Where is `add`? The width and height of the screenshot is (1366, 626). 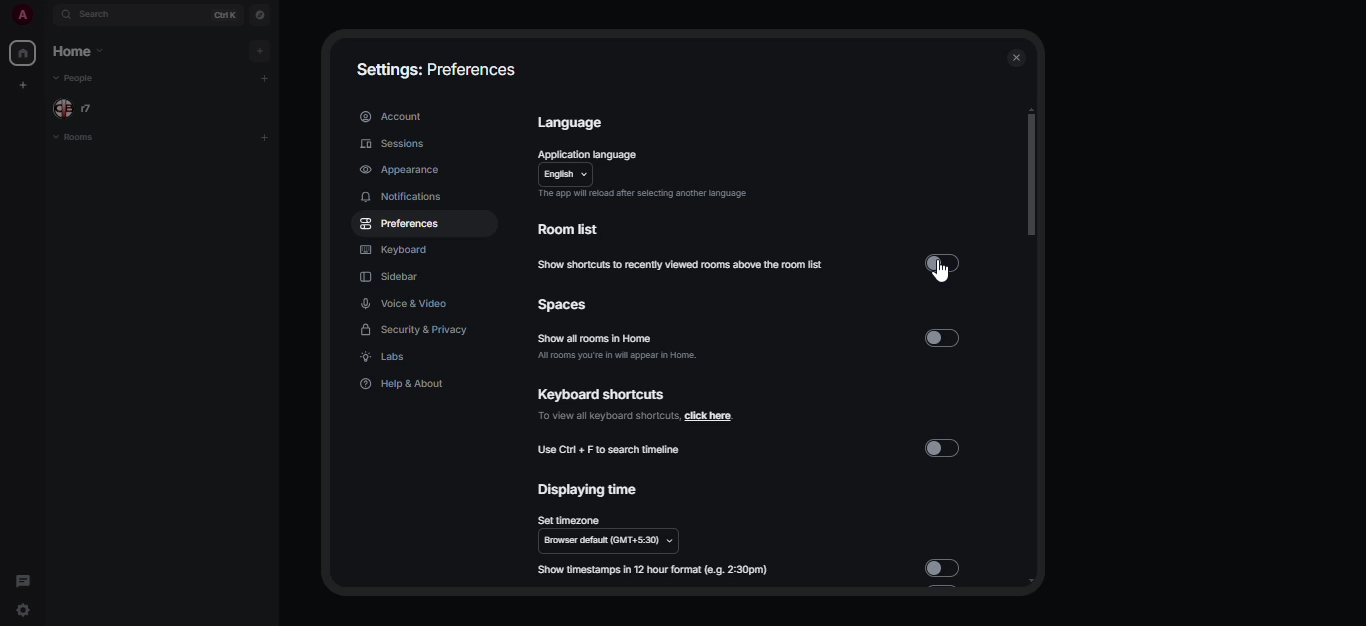
add is located at coordinates (266, 136).